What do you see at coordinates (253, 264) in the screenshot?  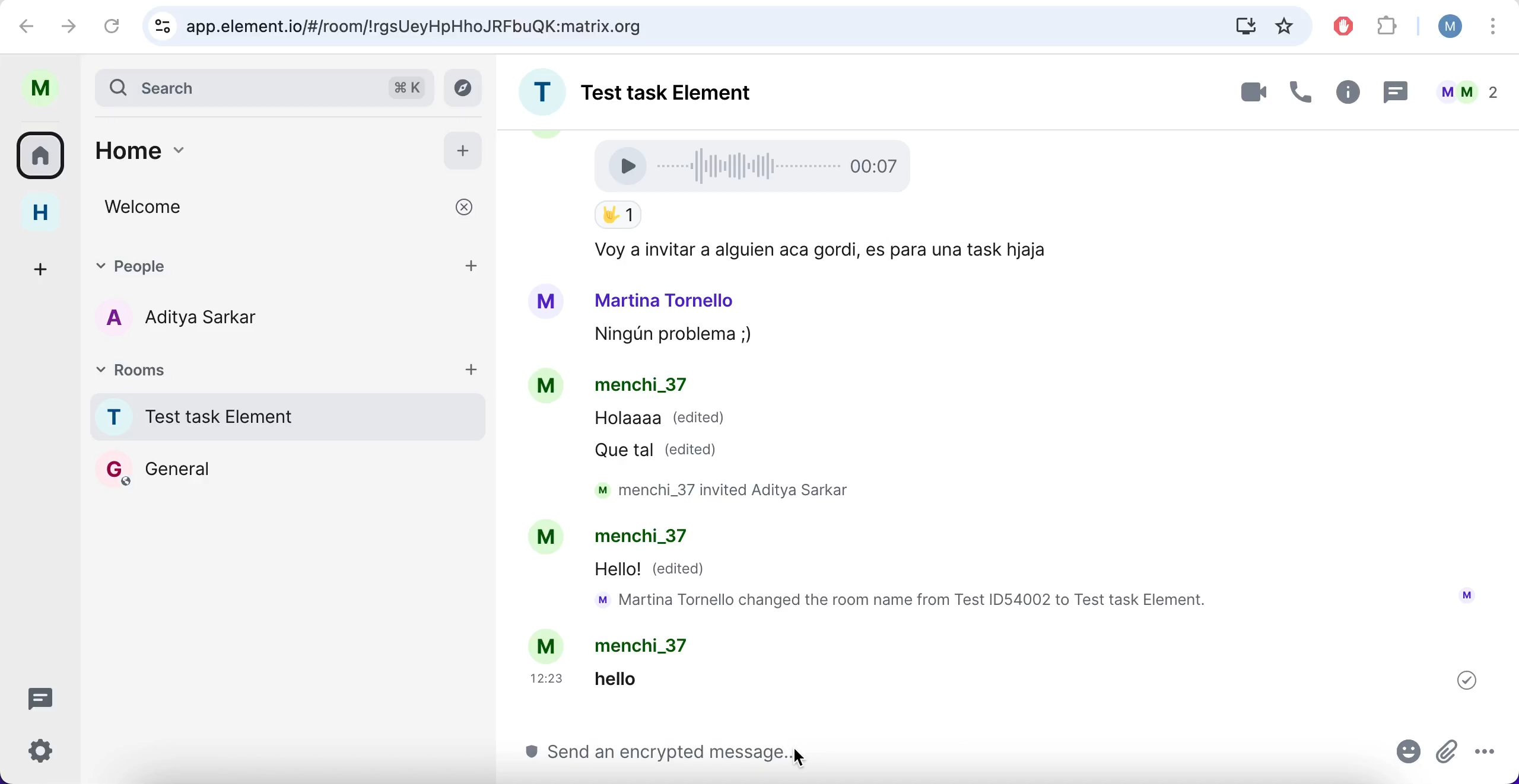 I see `people` at bounding box center [253, 264].